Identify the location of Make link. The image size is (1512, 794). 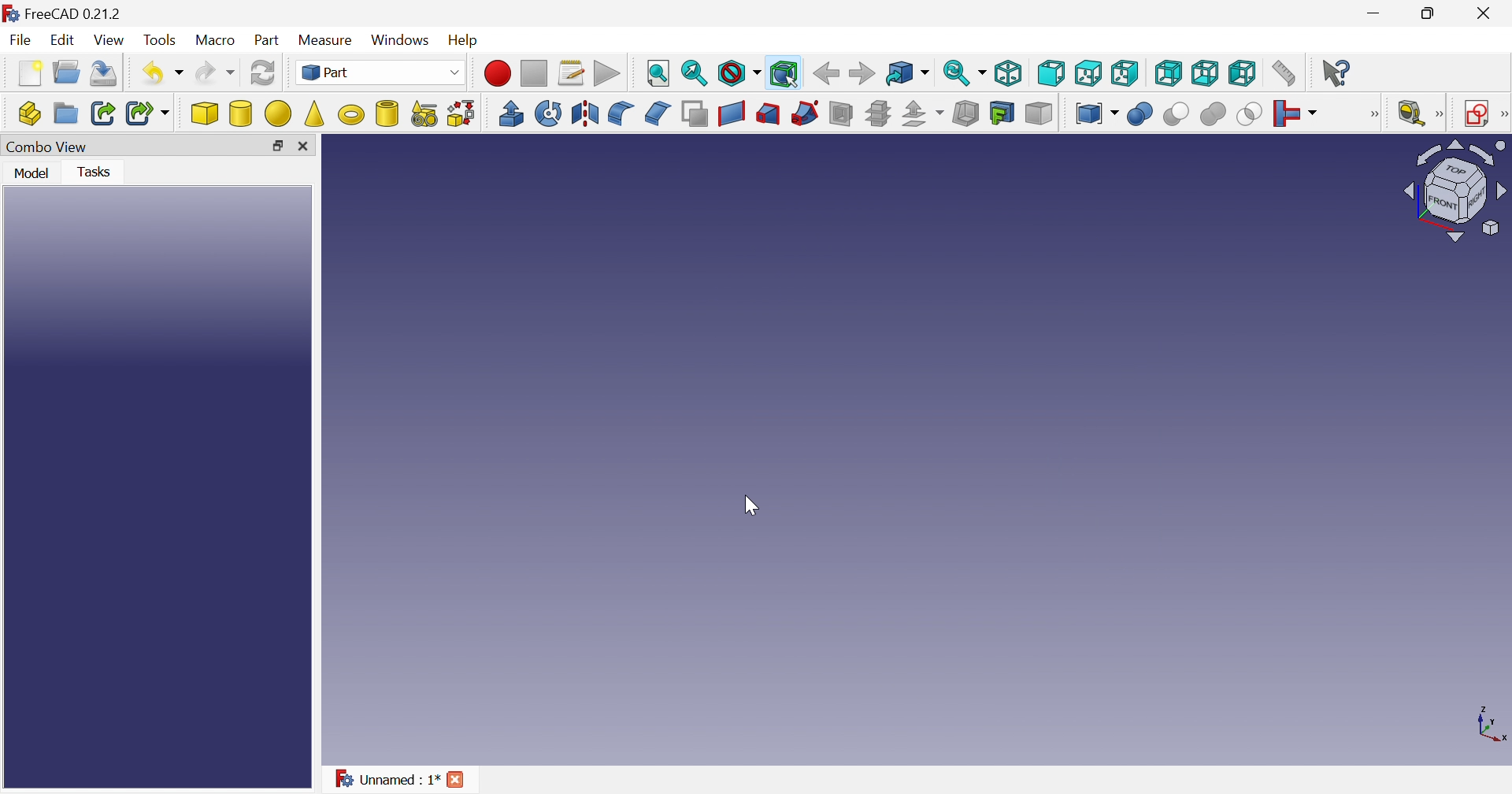
(105, 113).